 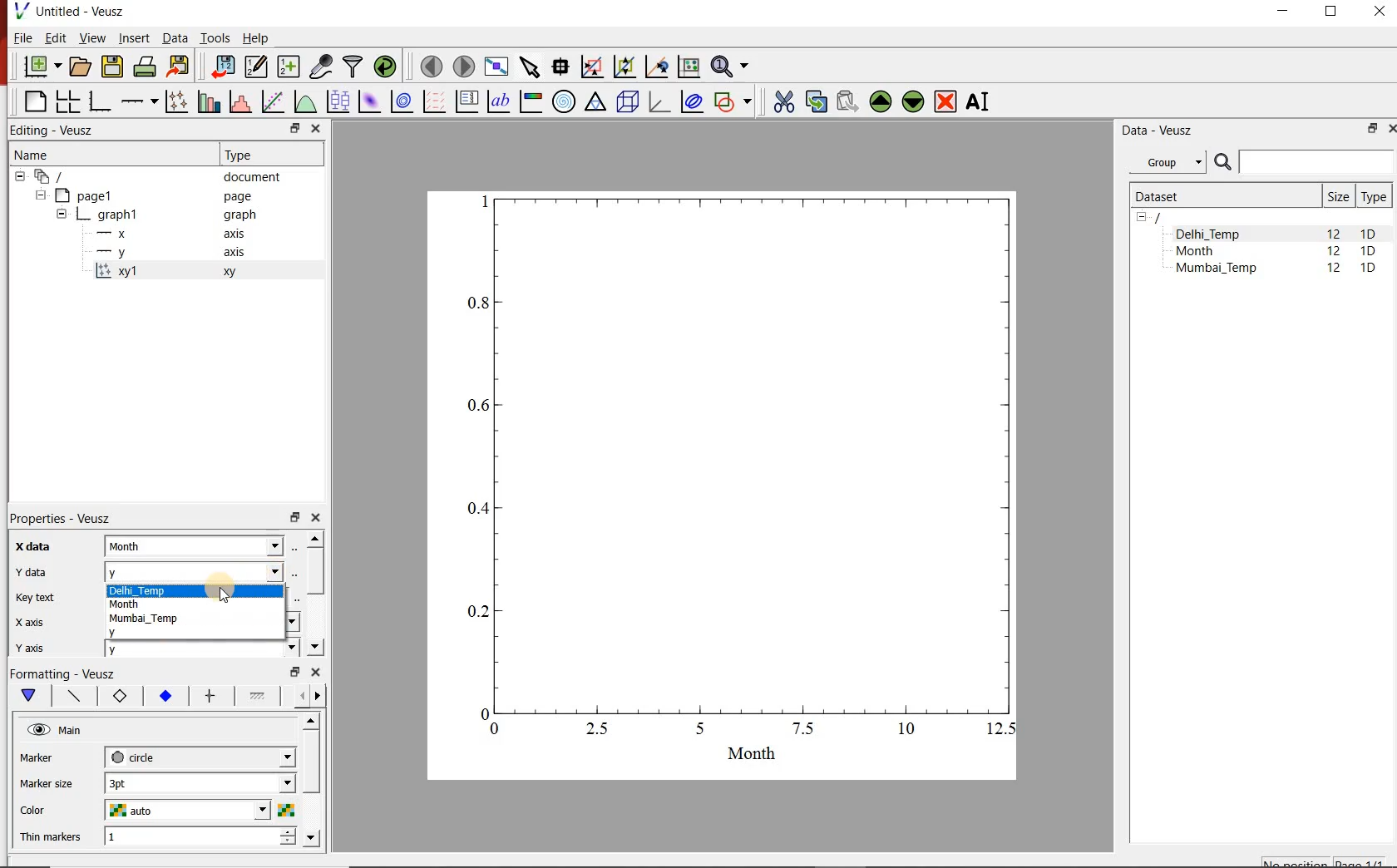 I want to click on restore, so click(x=294, y=516).